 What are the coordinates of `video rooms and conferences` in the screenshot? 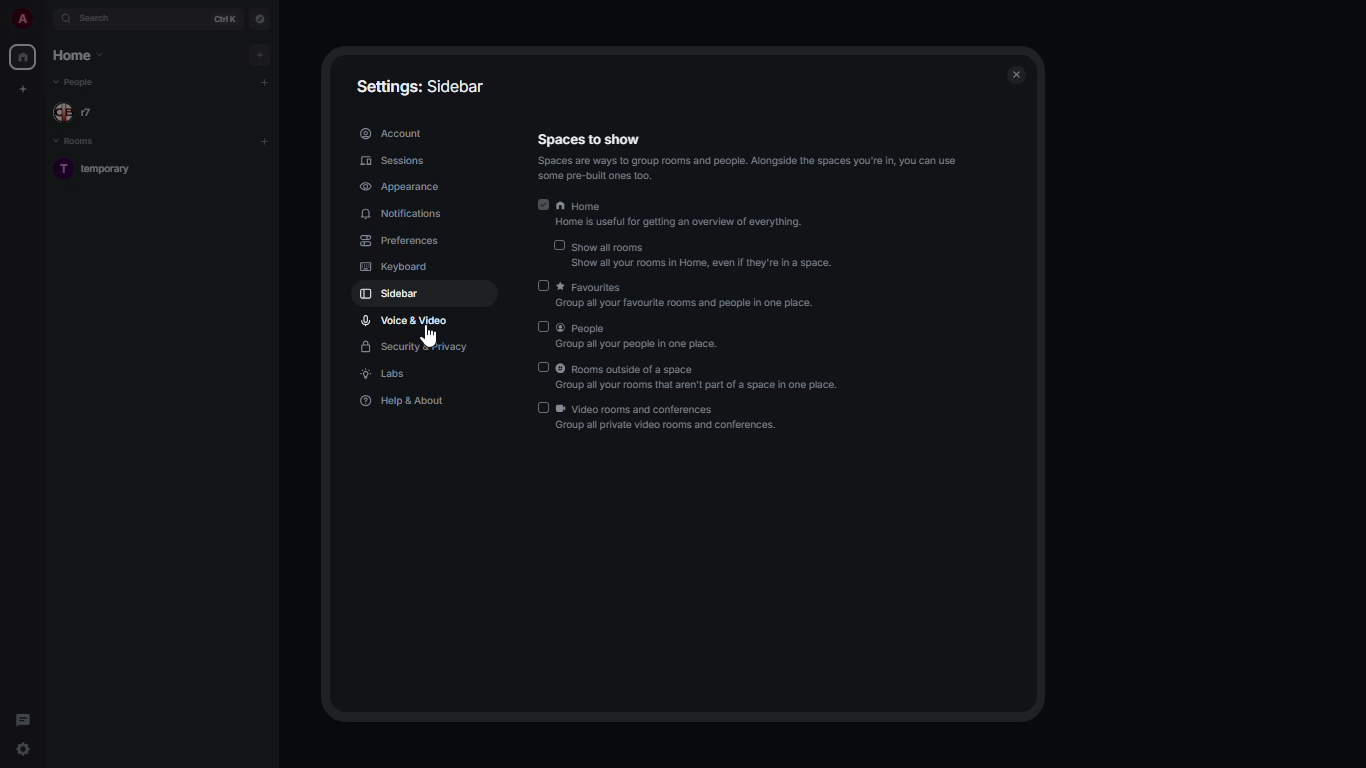 It's located at (669, 419).